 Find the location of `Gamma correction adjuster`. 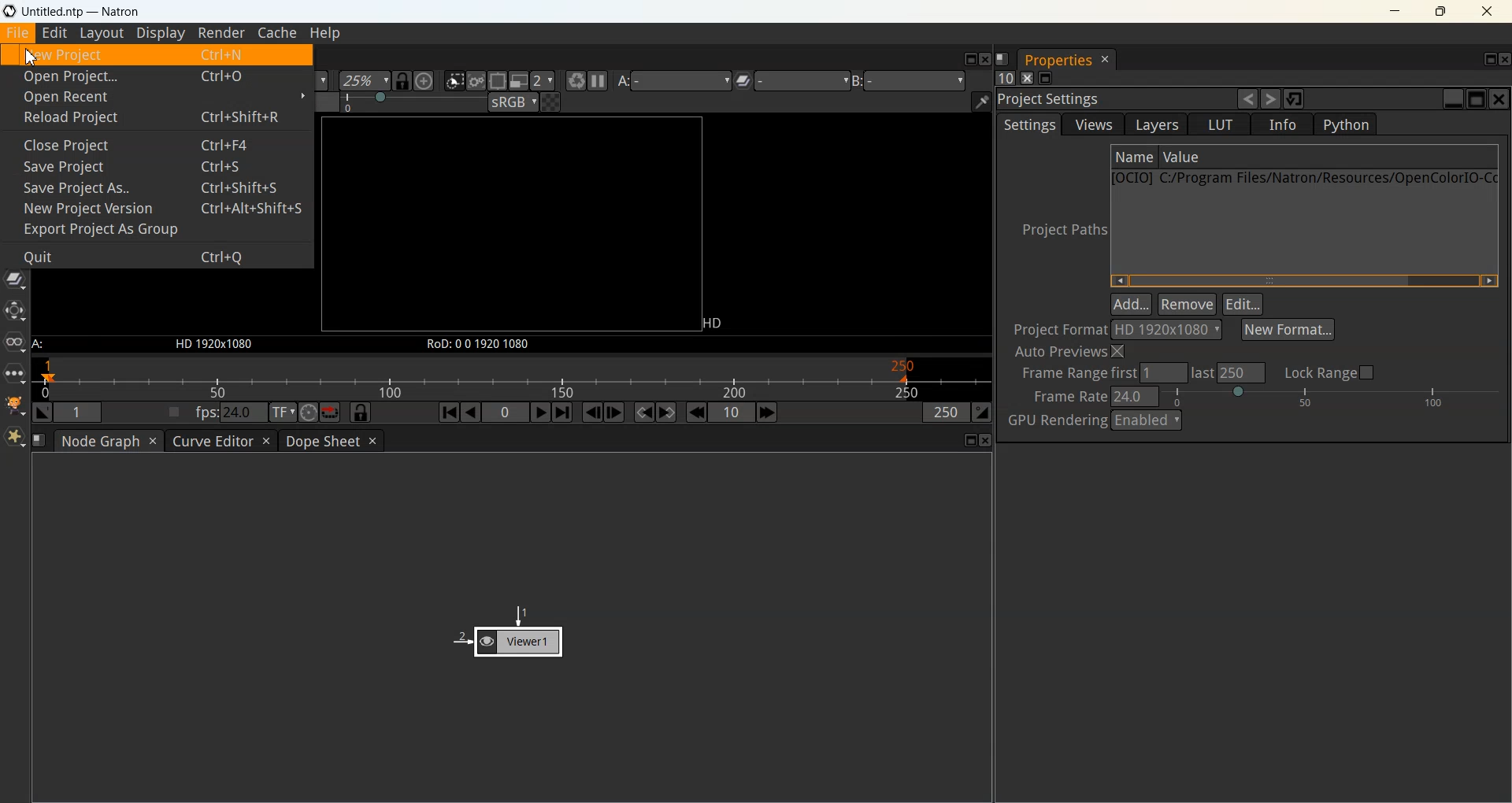

Gamma correction adjuster is located at coordinates (415, 102).